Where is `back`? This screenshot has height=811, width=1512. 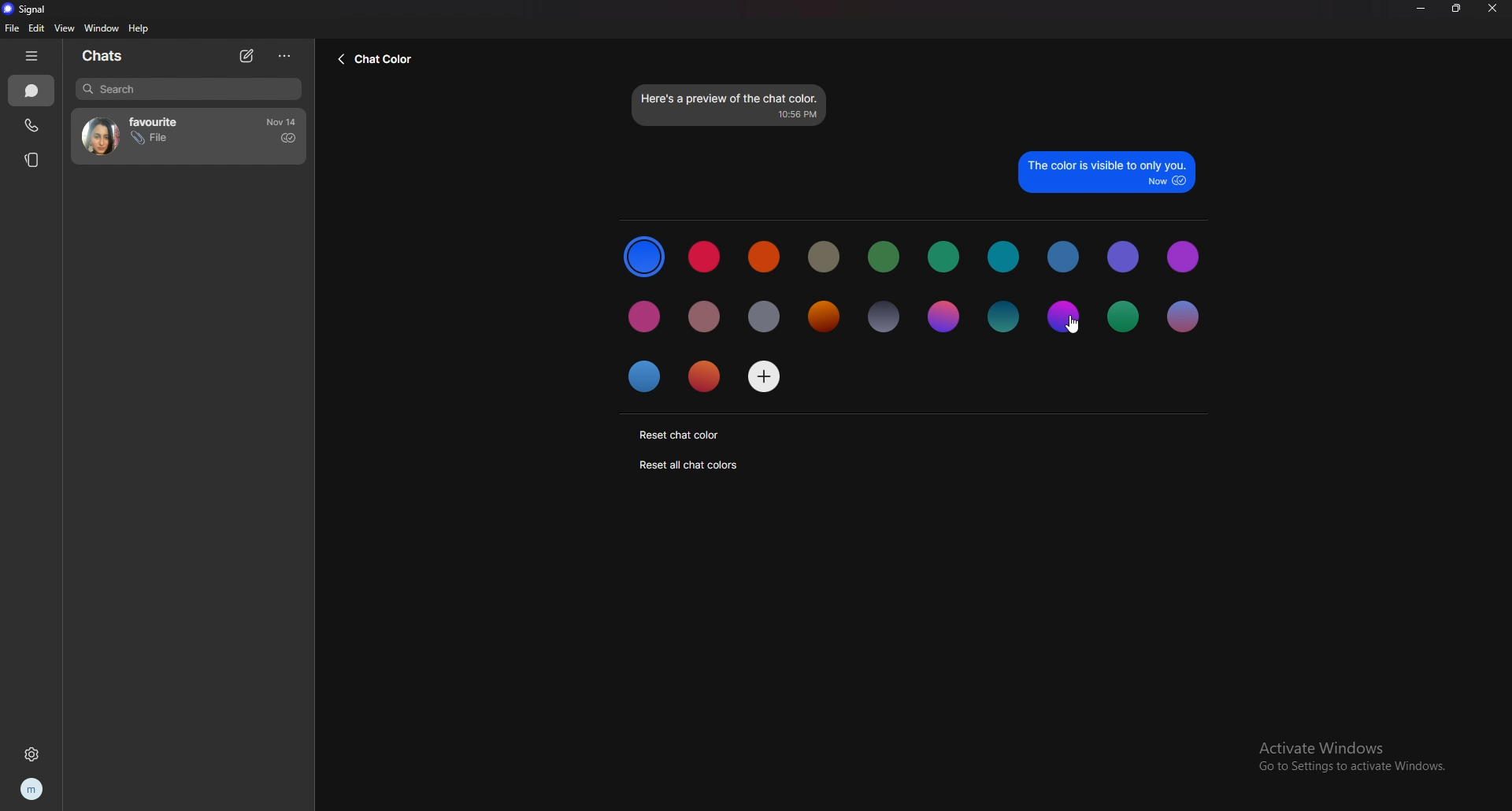
back is located at coordinates (380, 61).